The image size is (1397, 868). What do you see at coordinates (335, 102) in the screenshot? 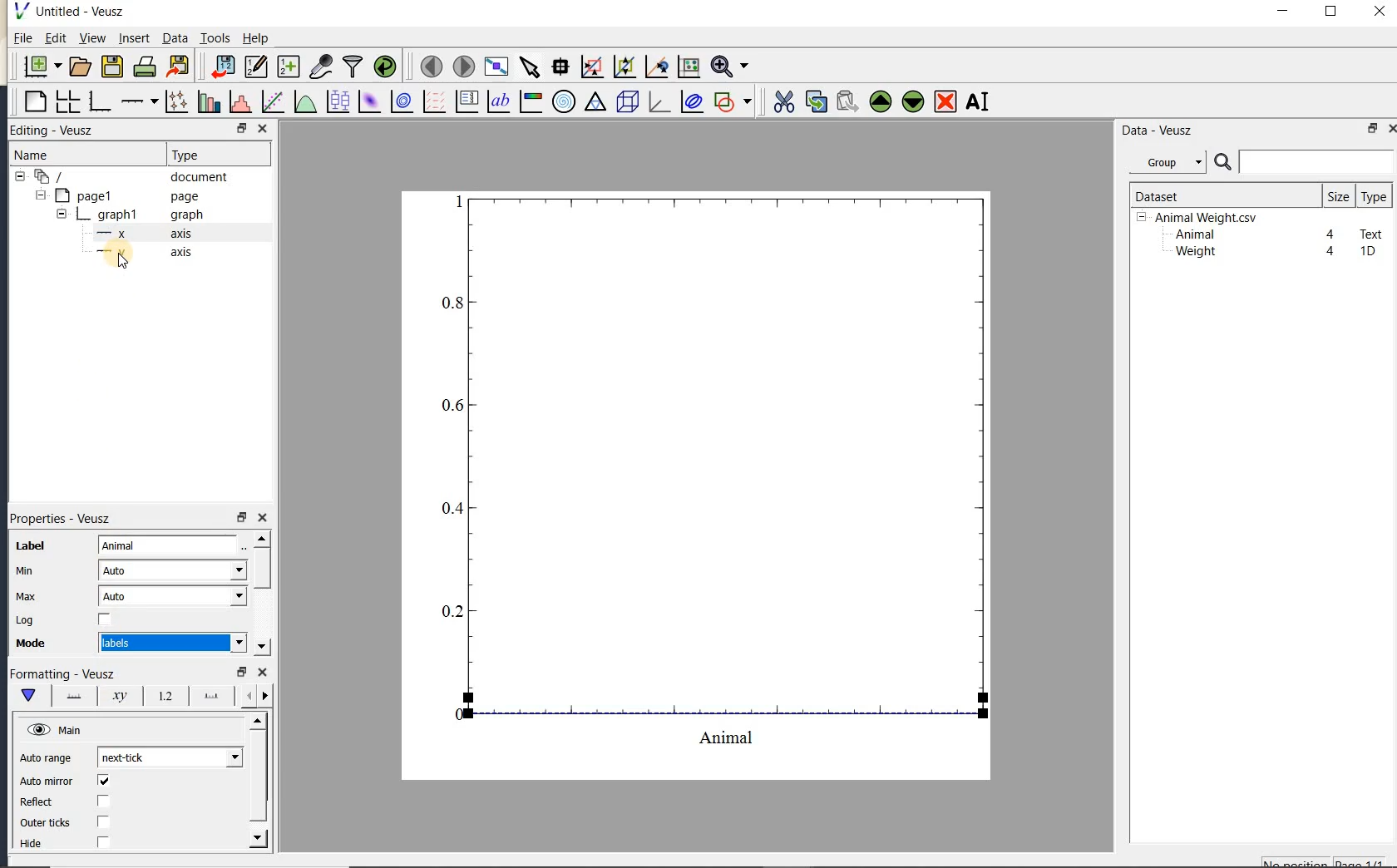
I see `plot box plots` at bounding box center [335, 102].